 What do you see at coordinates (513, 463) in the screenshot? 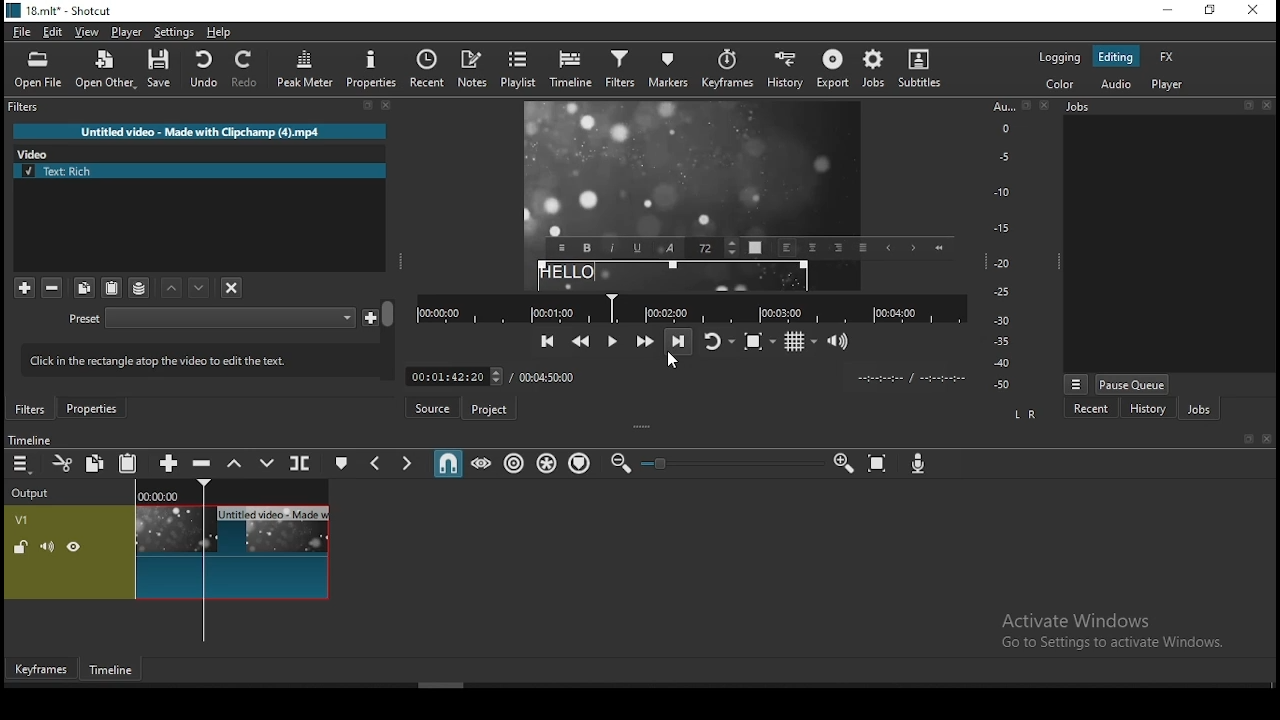
I see `ripple` at bounding box center [513, 463].